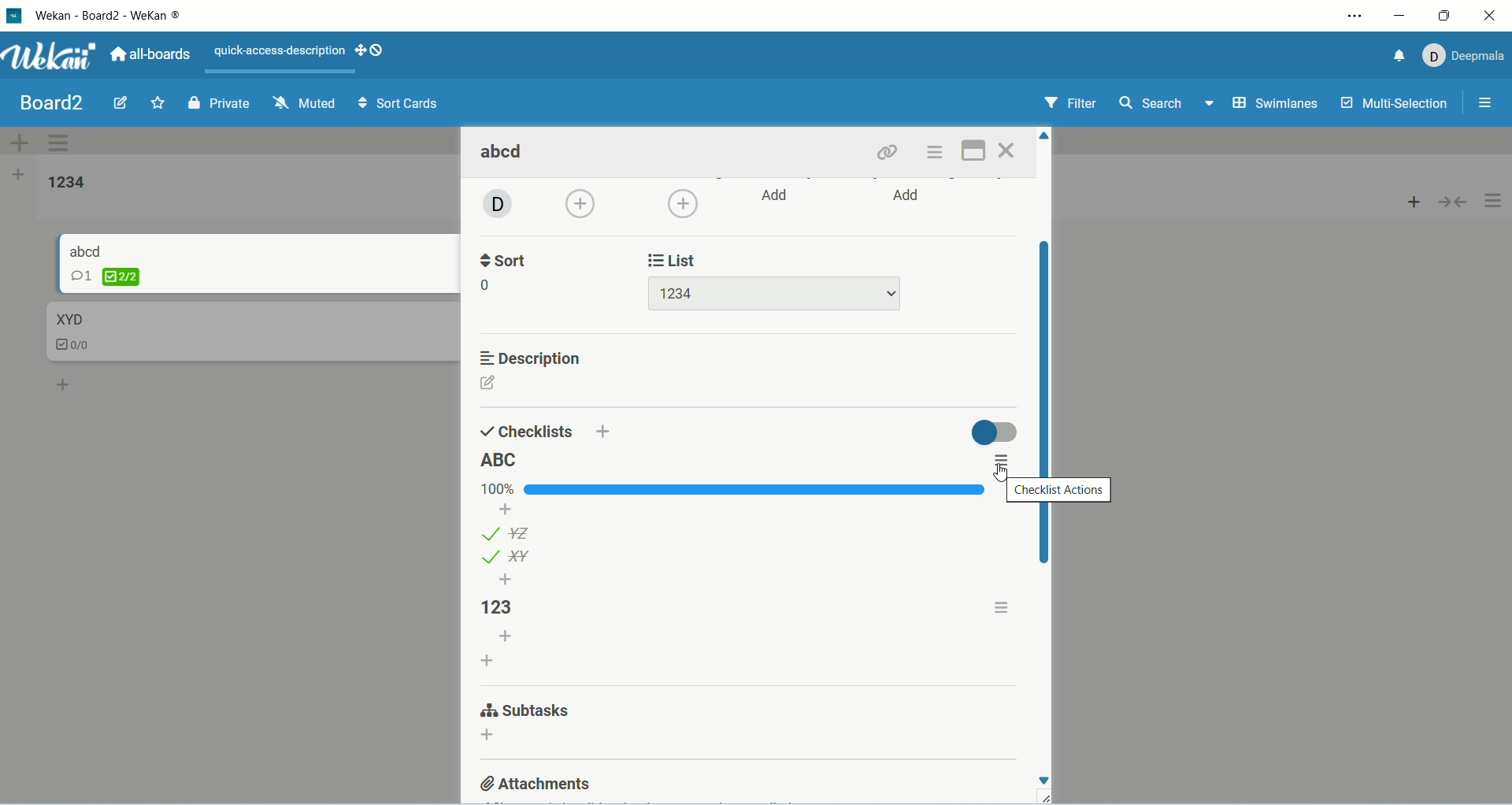  I want to click on options, so click(938, 153).